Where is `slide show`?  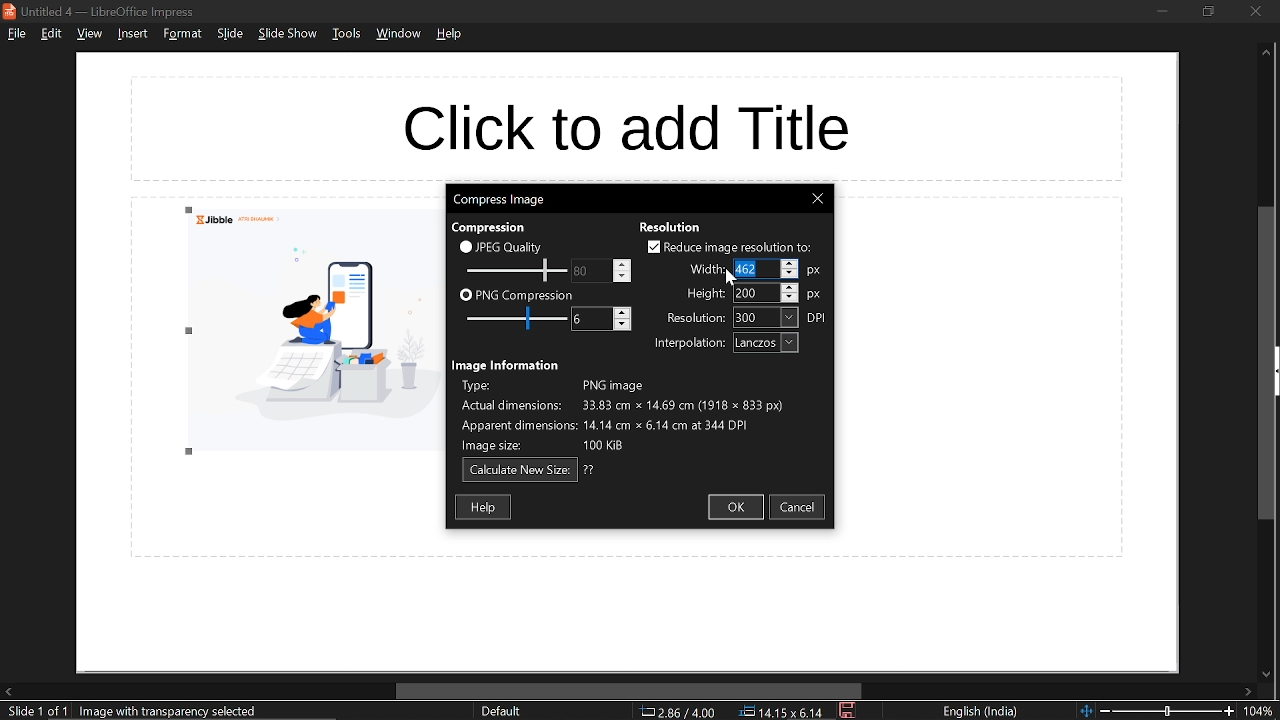 slide show is located at coordinates (288, 34).